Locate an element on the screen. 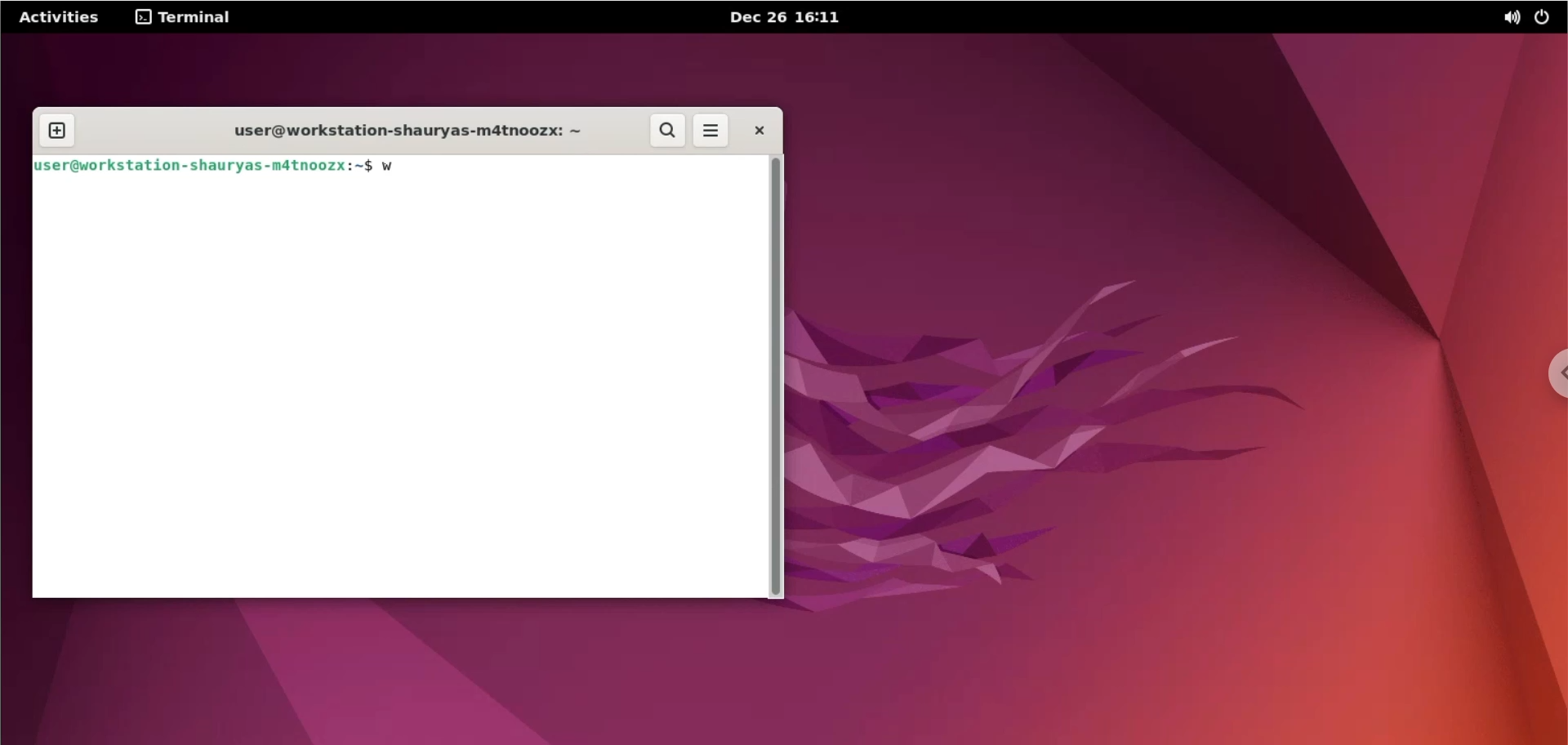  chrome options is located at coordinates (1557, 370).